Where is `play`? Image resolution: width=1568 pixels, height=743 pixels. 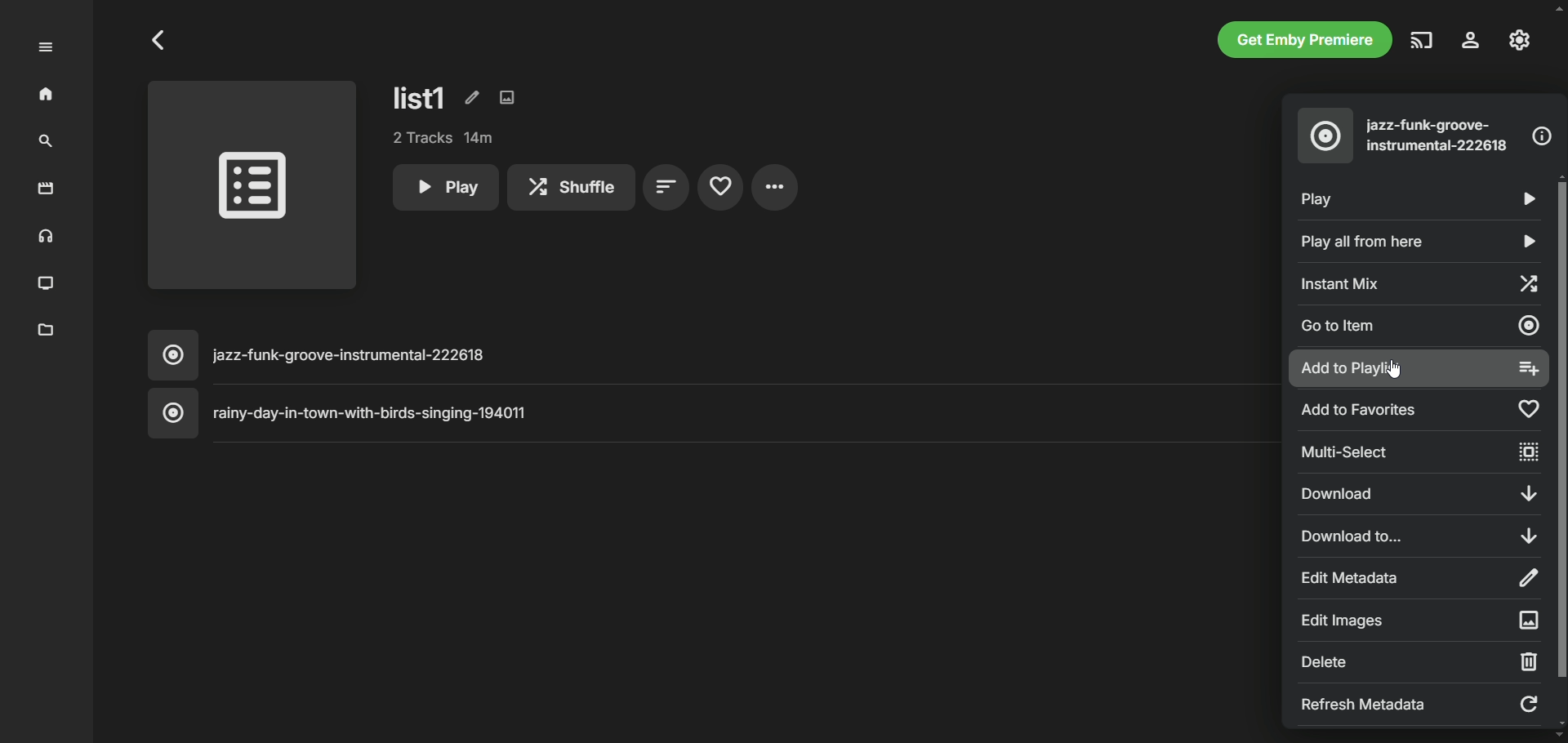
play is located at coordinates (444, 187).